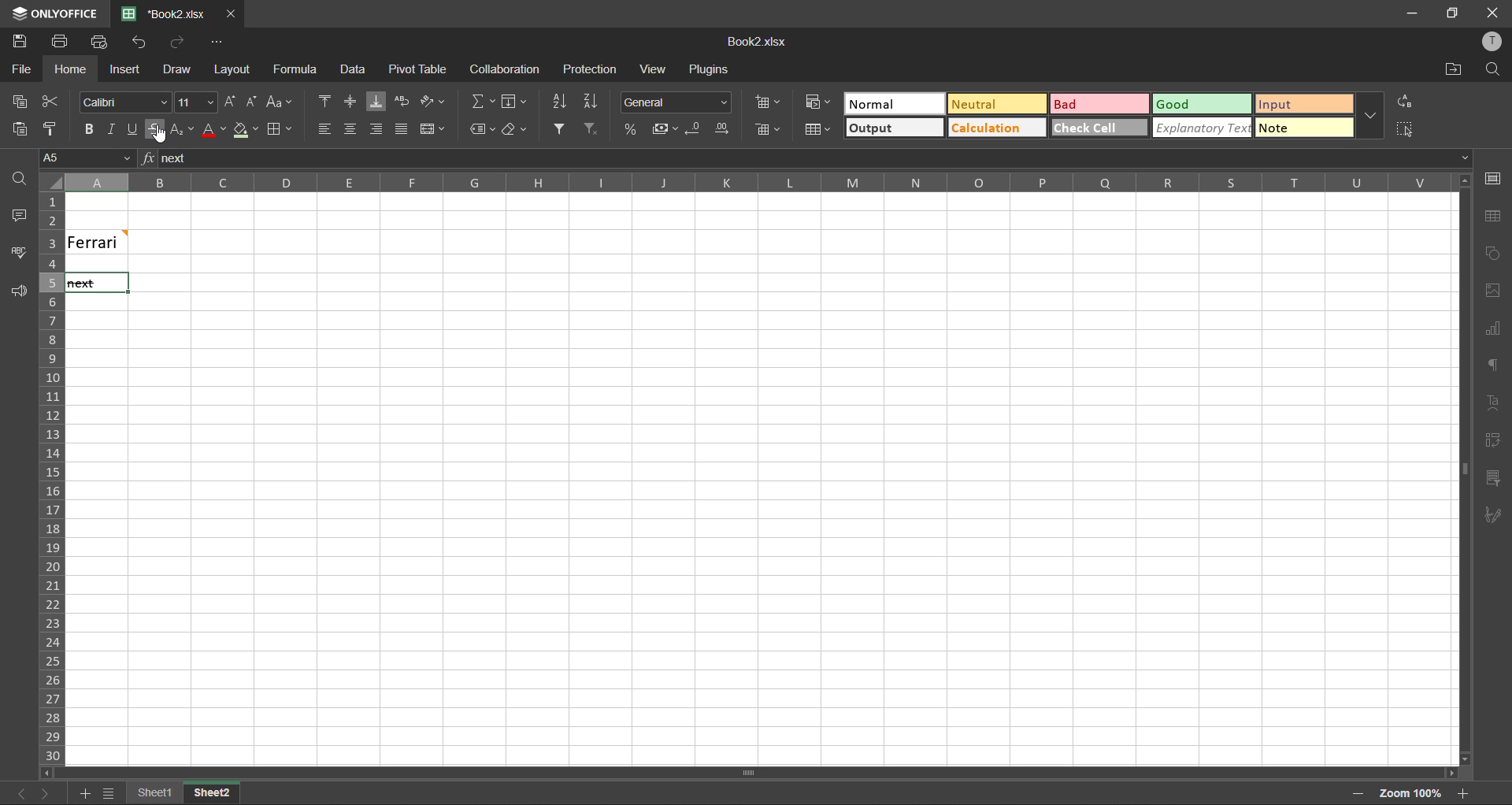  I want to click on signature, so click(1497, 518).